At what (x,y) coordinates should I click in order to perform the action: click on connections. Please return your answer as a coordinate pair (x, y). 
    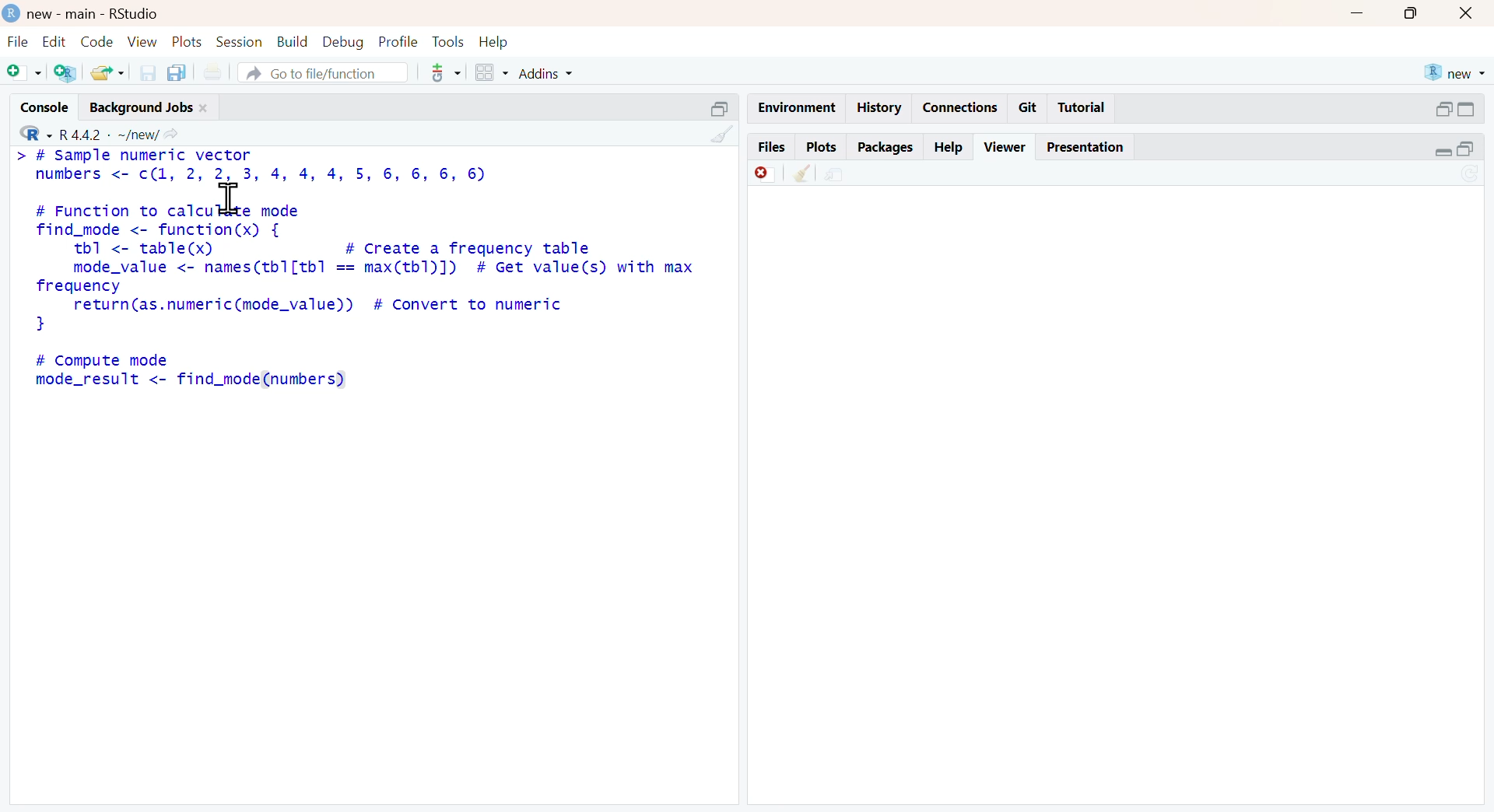
    Looking at the image, I should click on (962, 108).